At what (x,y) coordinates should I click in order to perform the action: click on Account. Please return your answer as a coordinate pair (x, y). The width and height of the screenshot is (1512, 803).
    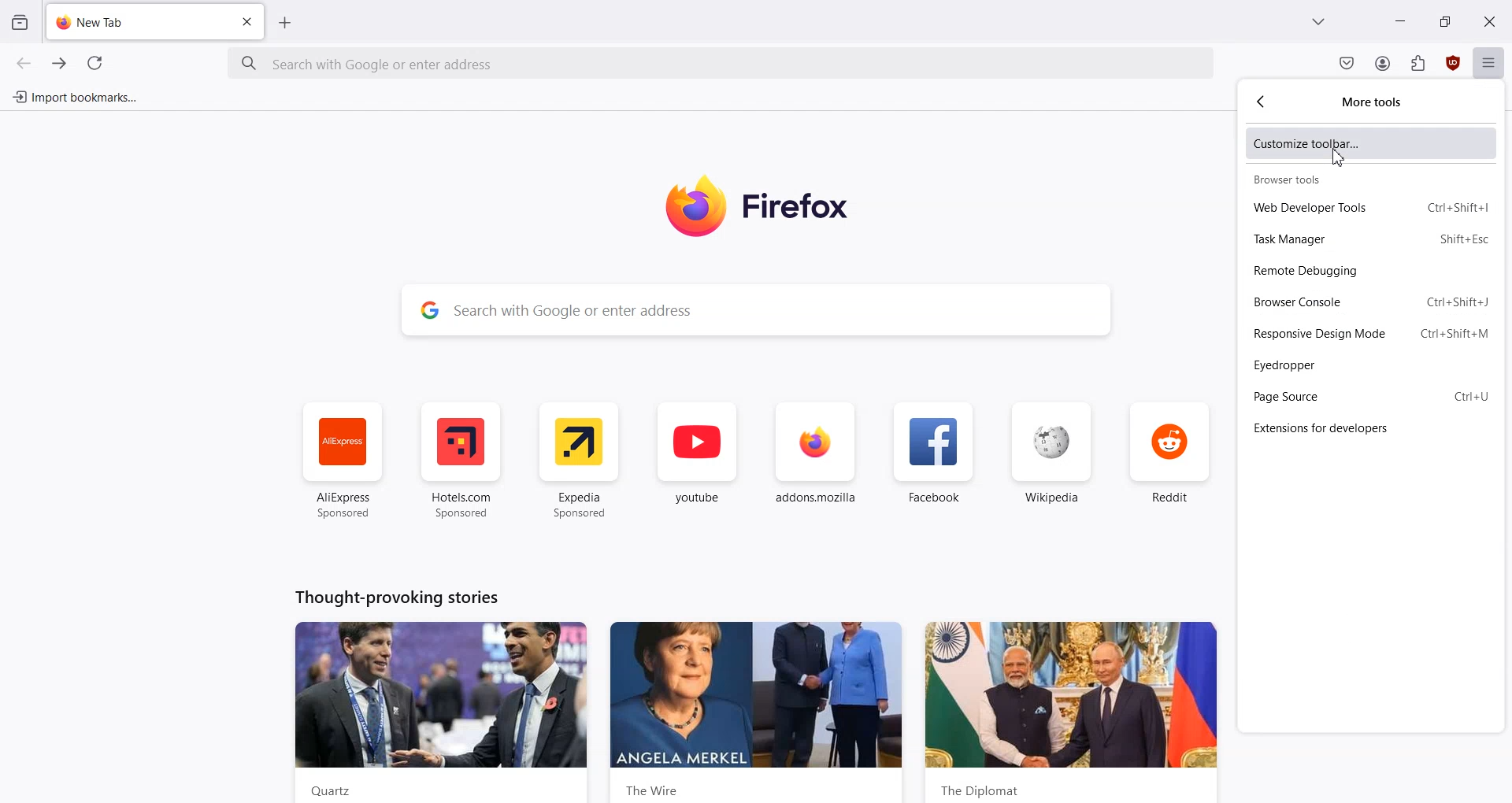
    Looking at the image, I should click on (1382, 64).